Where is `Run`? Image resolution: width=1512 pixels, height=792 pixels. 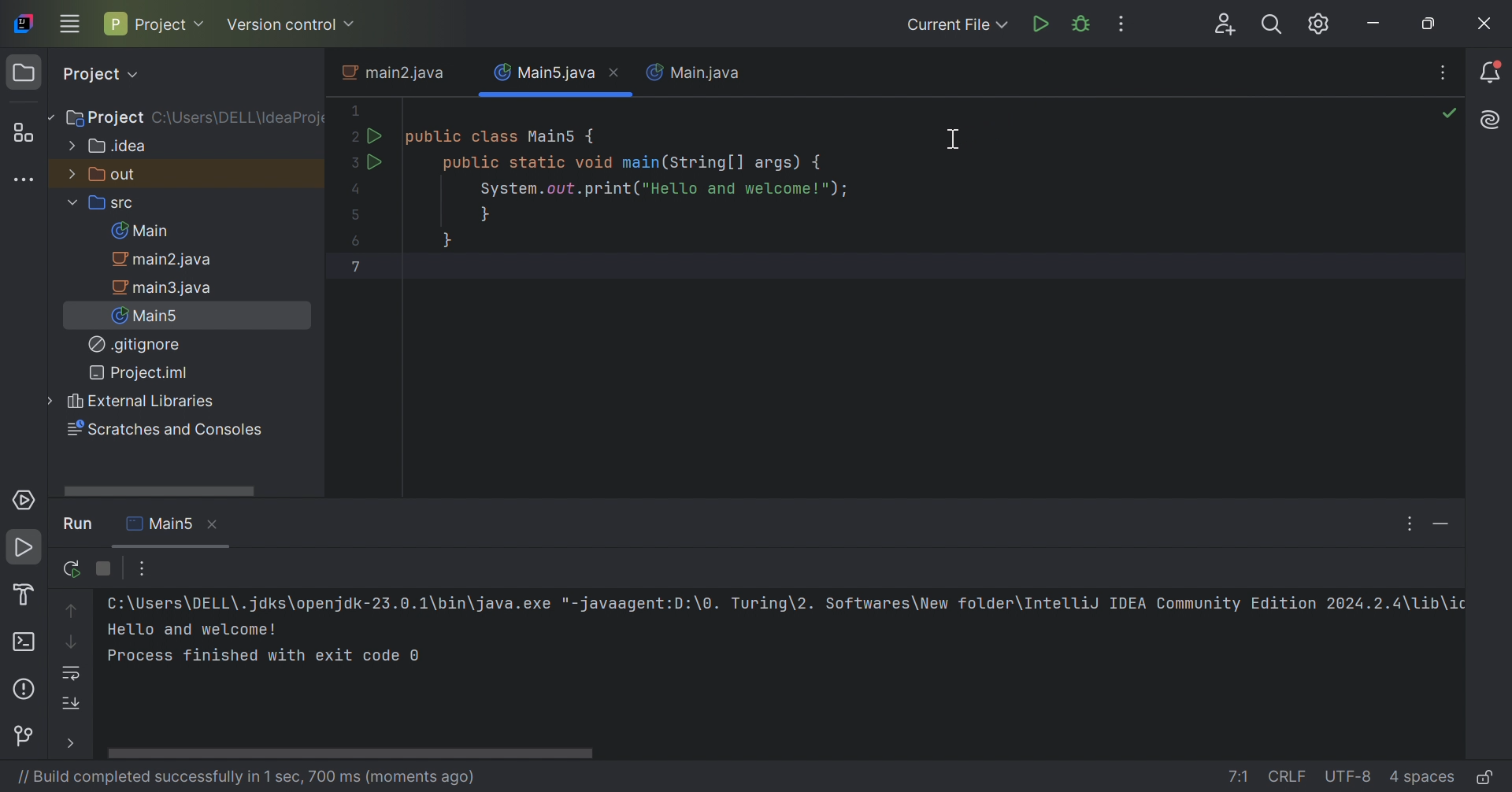
Run is located at coordinates (376, 134).